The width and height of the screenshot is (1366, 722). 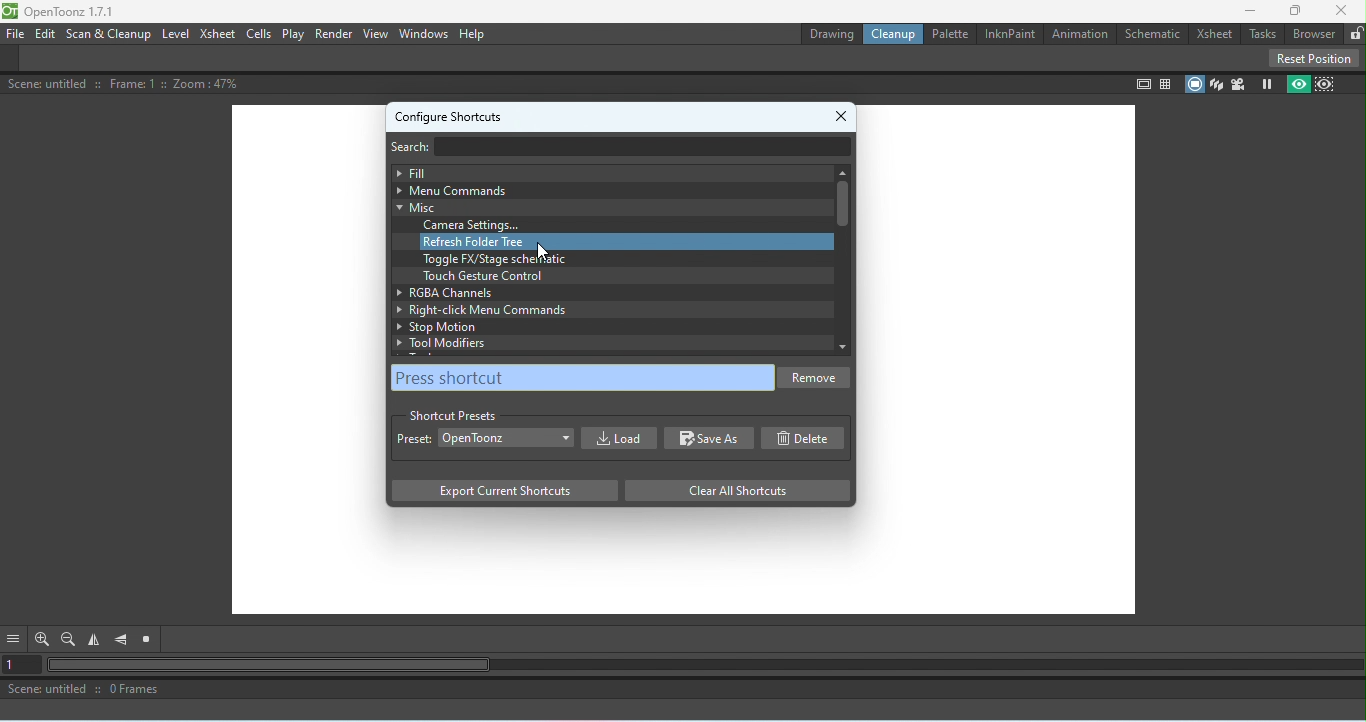 What do you see at coordinates (44, 34) in the screenshot?
I see `Edit` at bounding box center [44, 34].